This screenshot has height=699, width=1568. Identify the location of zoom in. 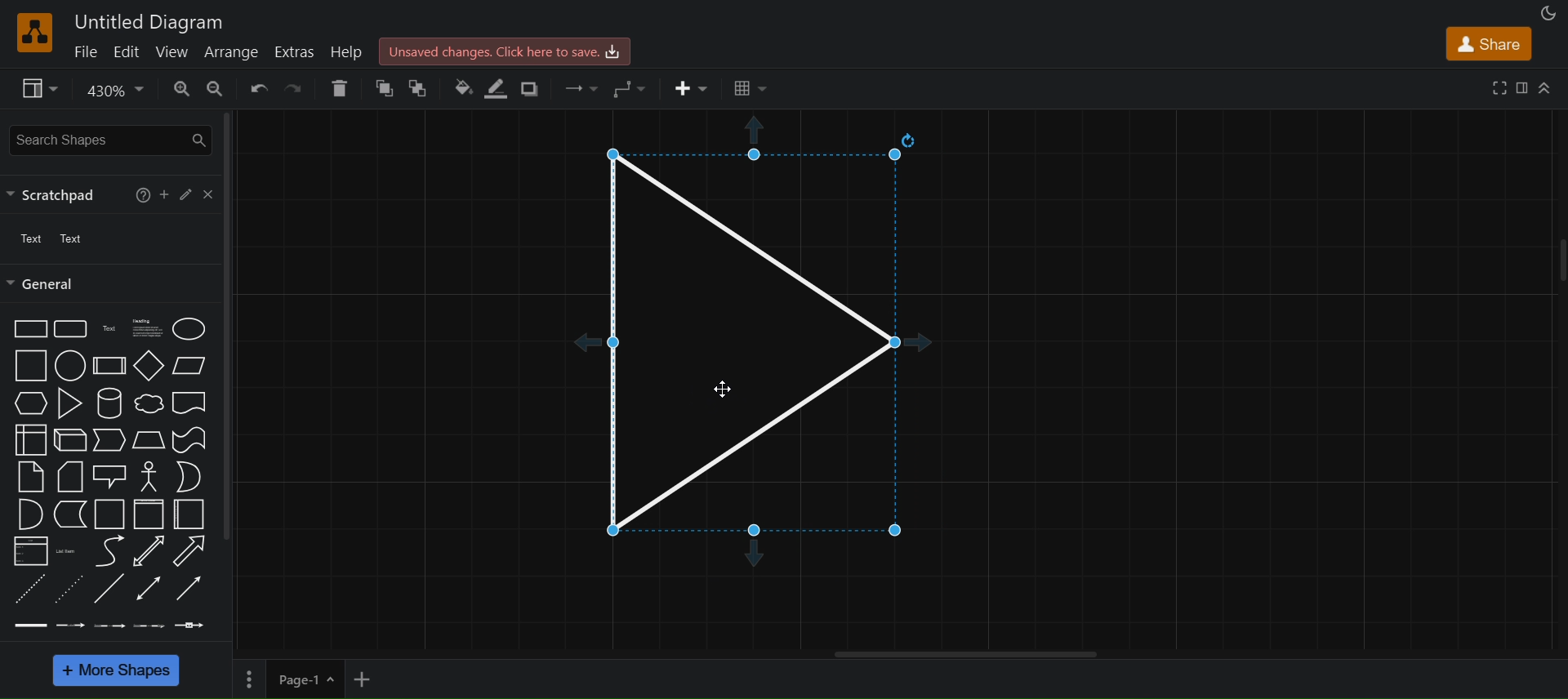
(181, 89).